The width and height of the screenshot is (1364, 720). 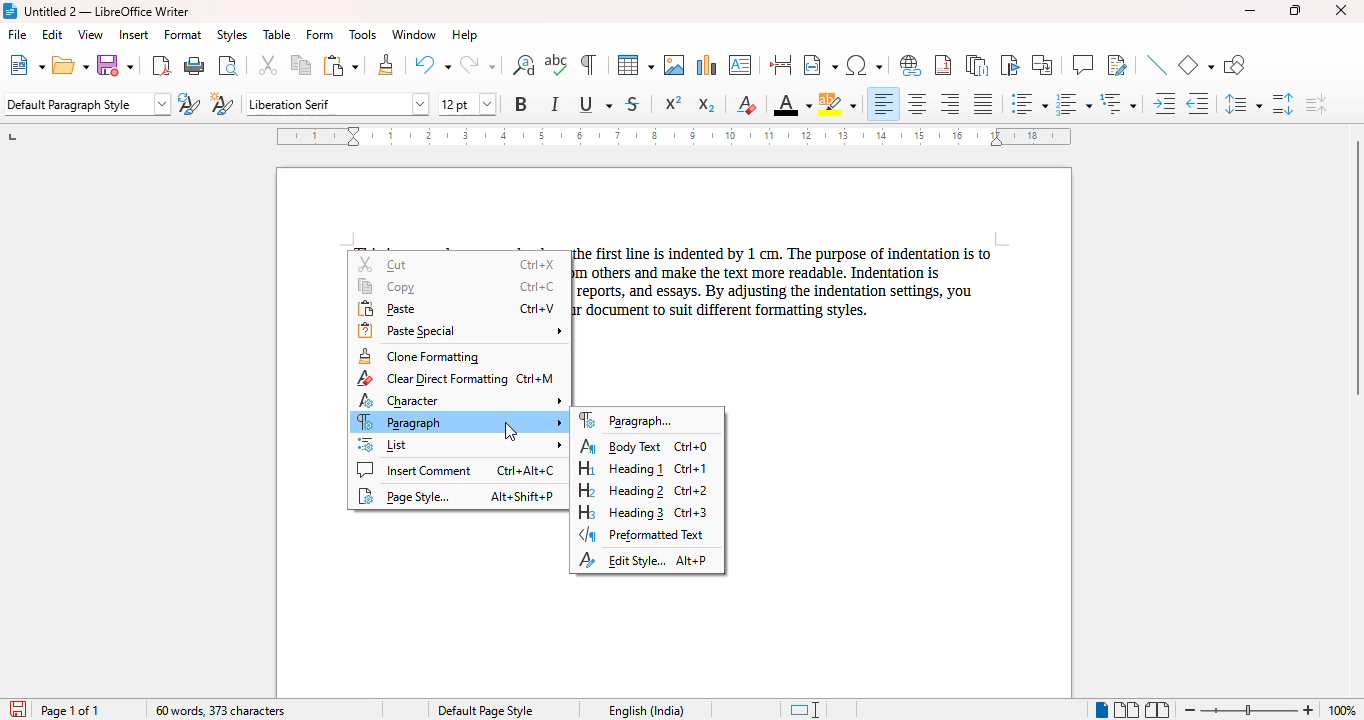 What do you see at coordinates (1199, 103) in the screenshot?
I see `decrease indent` at bounding box center [1199, 103].